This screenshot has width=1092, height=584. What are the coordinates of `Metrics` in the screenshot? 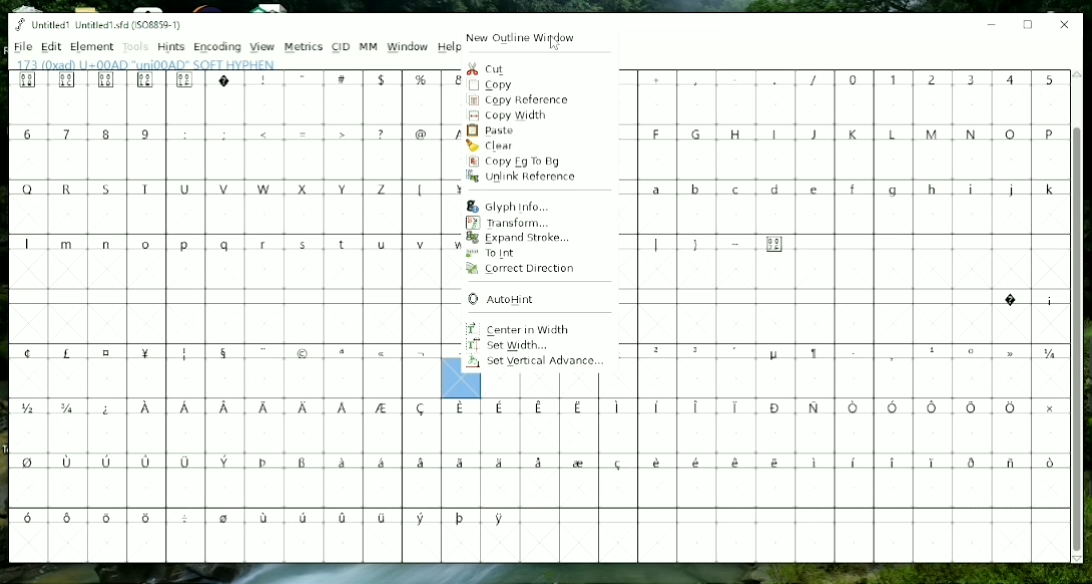 It's located at (303, 47).